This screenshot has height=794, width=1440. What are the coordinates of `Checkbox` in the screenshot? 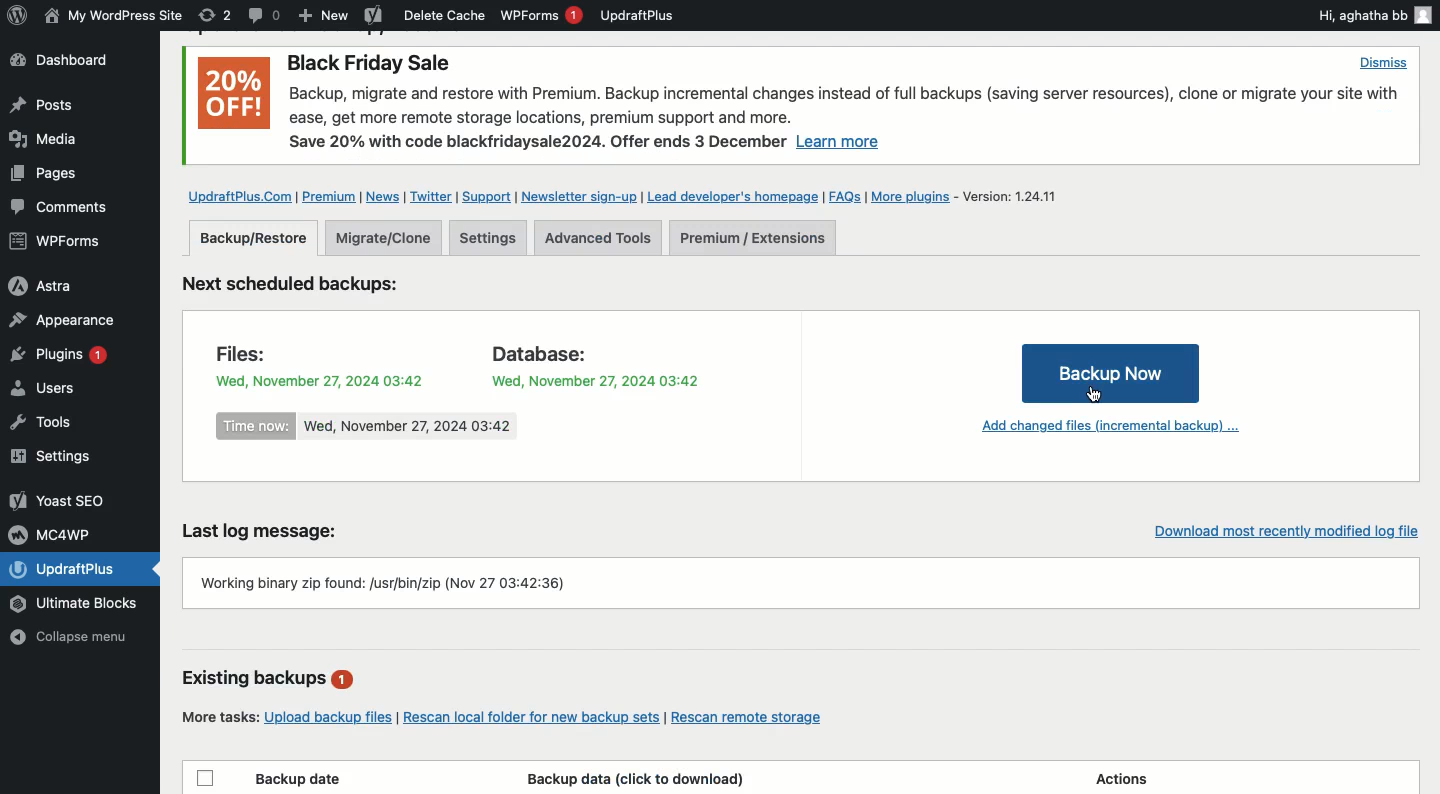 It's located at (206, 776).